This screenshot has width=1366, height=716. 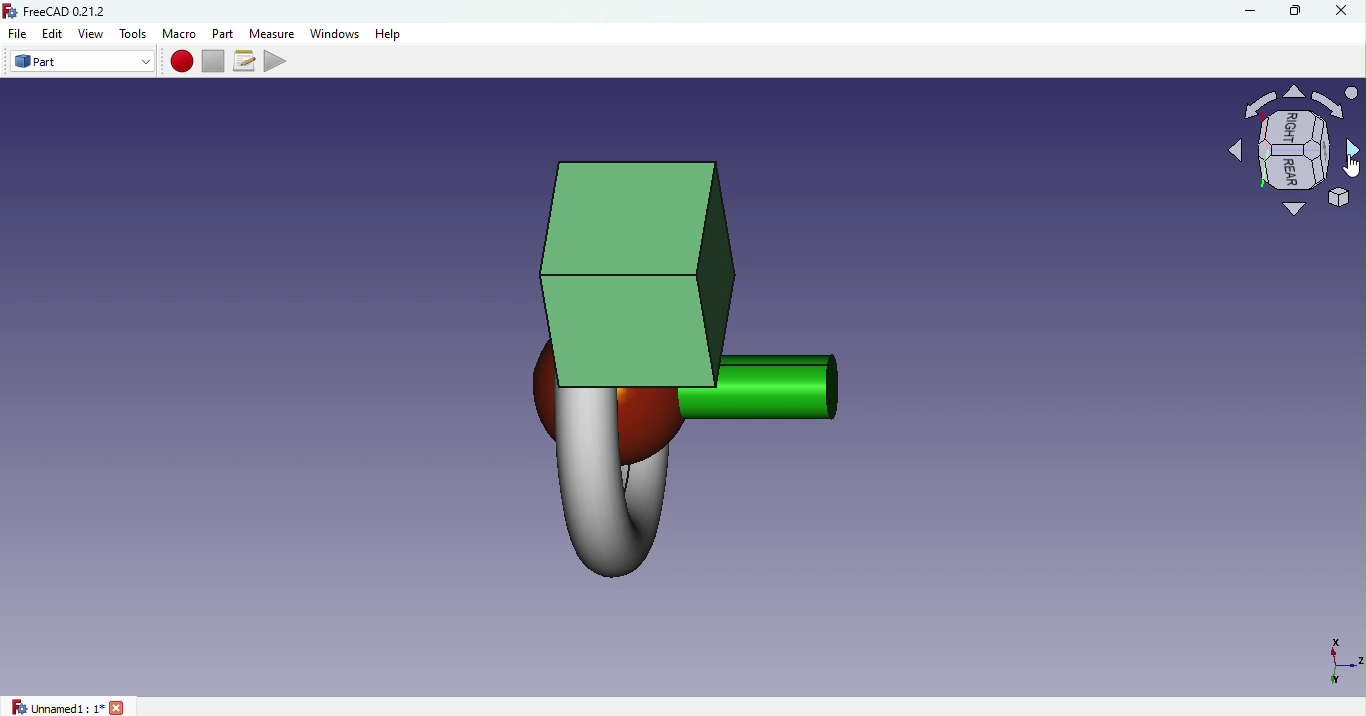 I want to click on Switch between workbenches, so click(x=78, y=62).